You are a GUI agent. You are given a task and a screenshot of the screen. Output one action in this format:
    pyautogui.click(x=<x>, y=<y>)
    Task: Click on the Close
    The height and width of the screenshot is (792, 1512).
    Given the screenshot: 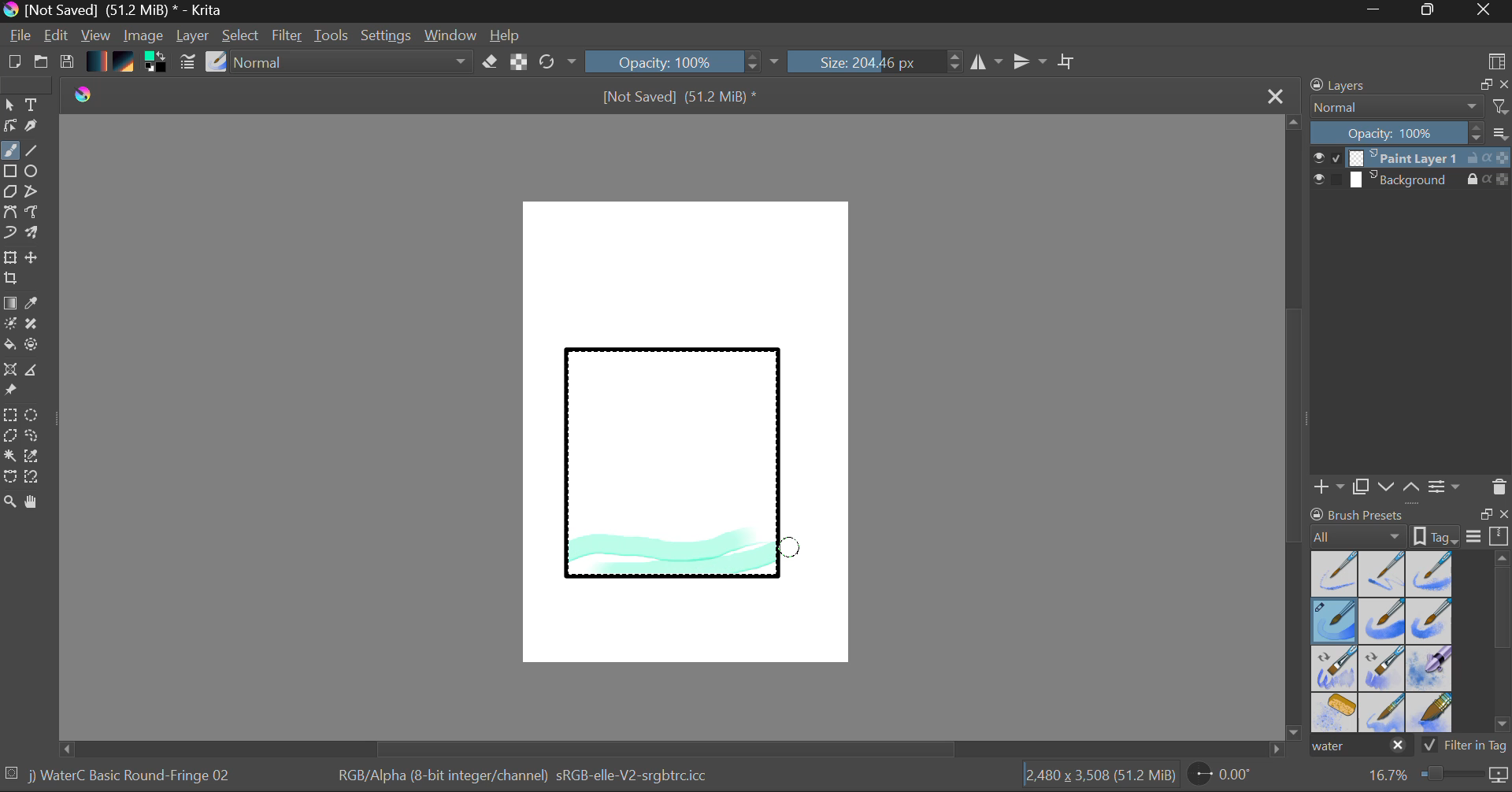 What is the action you would take?
    pyautogui.click(x=1485, y=11)
    